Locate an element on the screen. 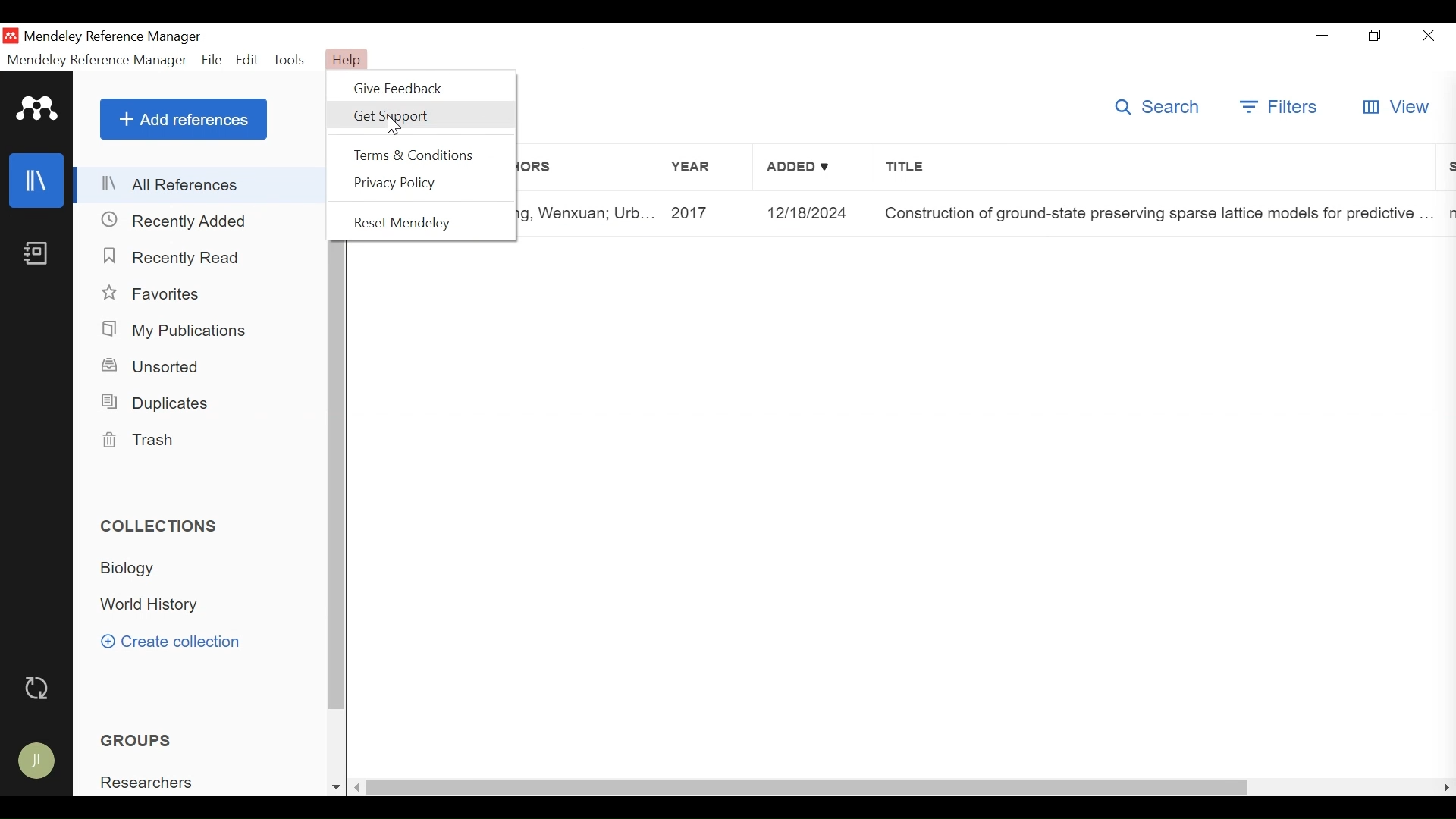 Image resolution: width=1456 pixels, height=819 pixels. Library is located at coordinates (36, 181).